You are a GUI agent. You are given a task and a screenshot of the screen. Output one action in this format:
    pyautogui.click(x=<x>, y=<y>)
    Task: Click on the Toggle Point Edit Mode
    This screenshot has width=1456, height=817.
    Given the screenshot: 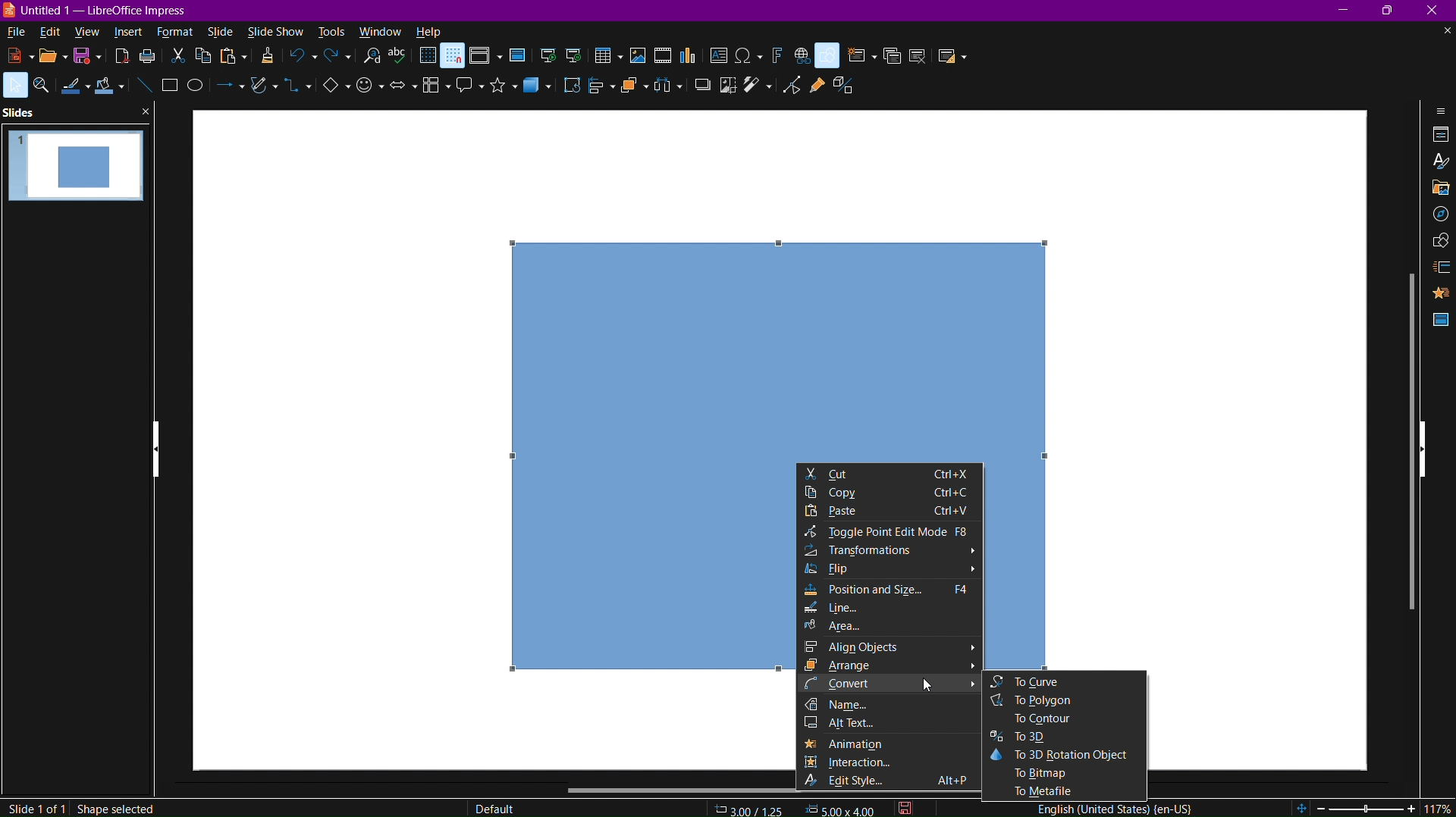 What is the action you would take?
    pyautogui.click(x=795, y=85)
    